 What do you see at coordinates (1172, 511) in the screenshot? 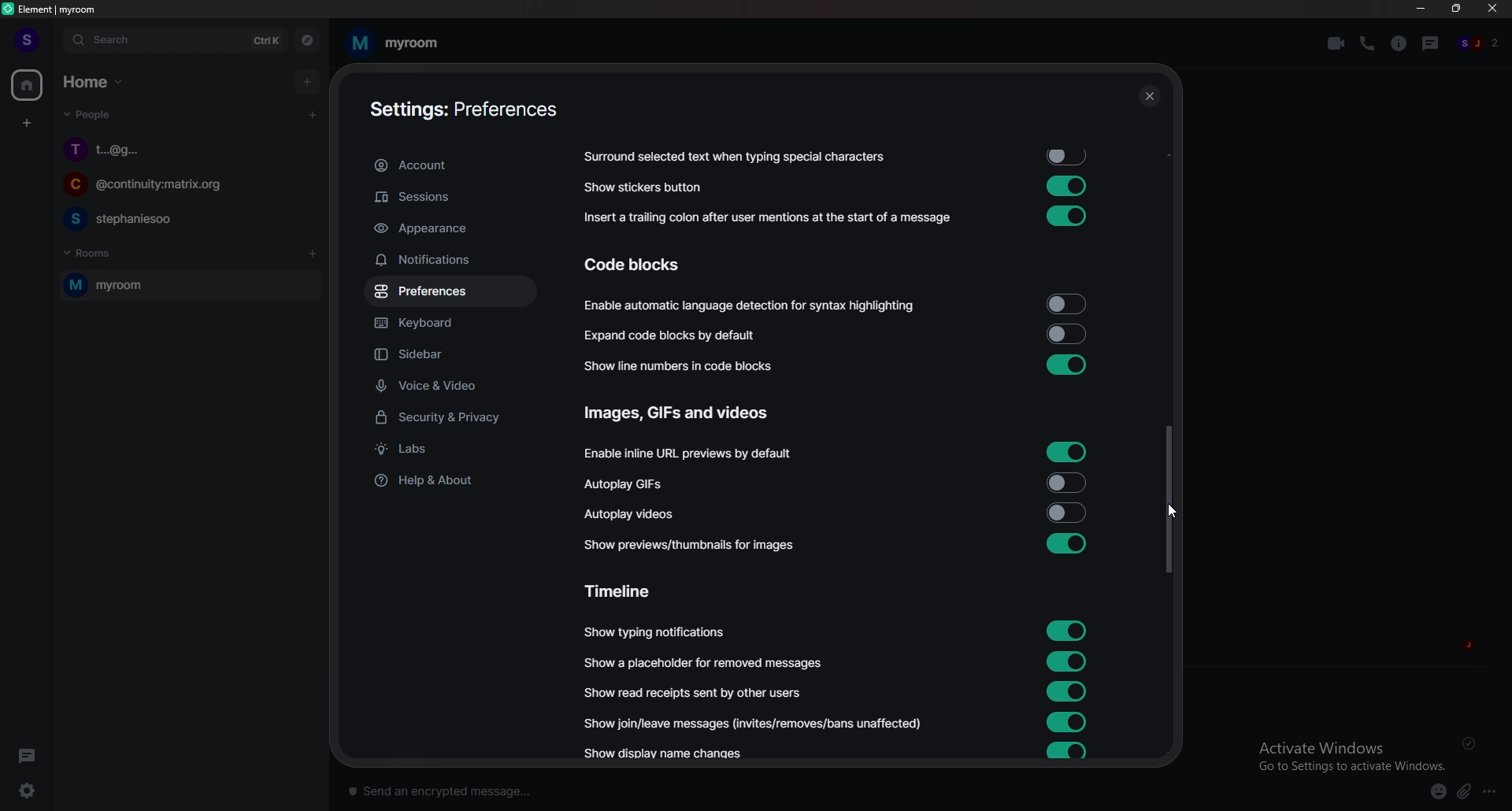
I see `cursor` at bounding box center [1172, 511].